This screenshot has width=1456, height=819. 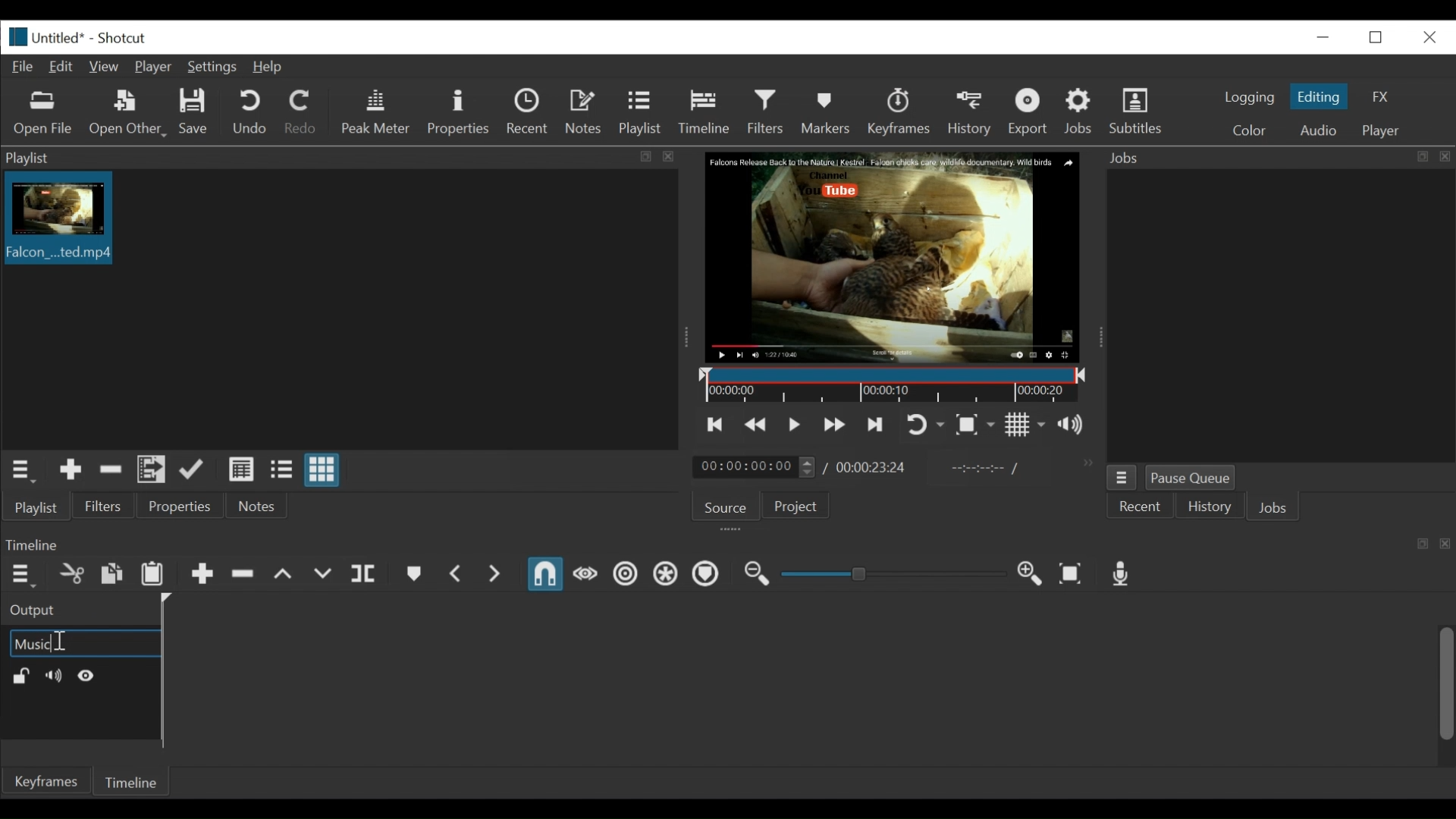 What do you see at coordinates (413, 574) in the screenshot?
I see `Create or Edit Marker` at bounding box center [413, 574].